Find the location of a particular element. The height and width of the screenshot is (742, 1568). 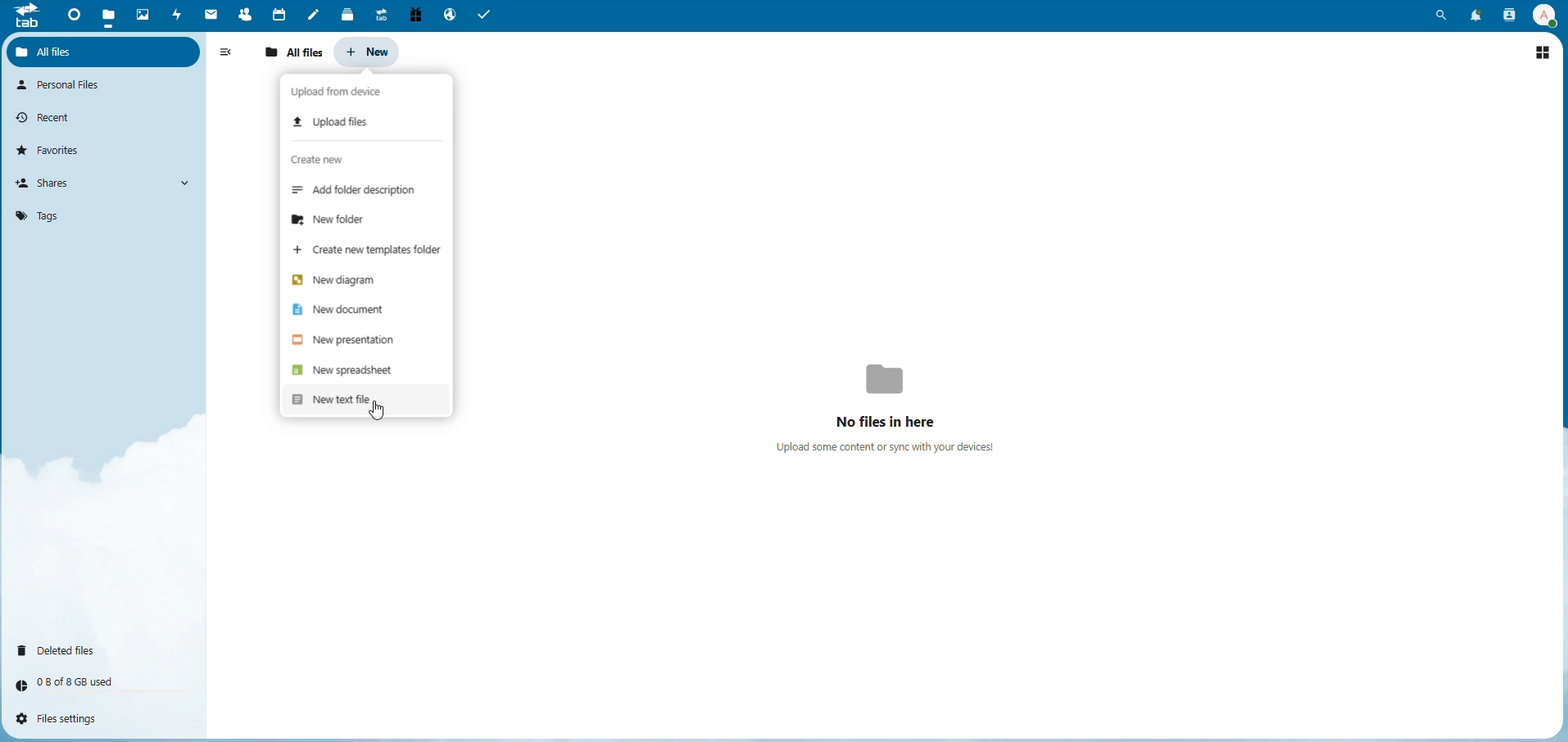

Close Navigation is located at coordinates (229, 53).